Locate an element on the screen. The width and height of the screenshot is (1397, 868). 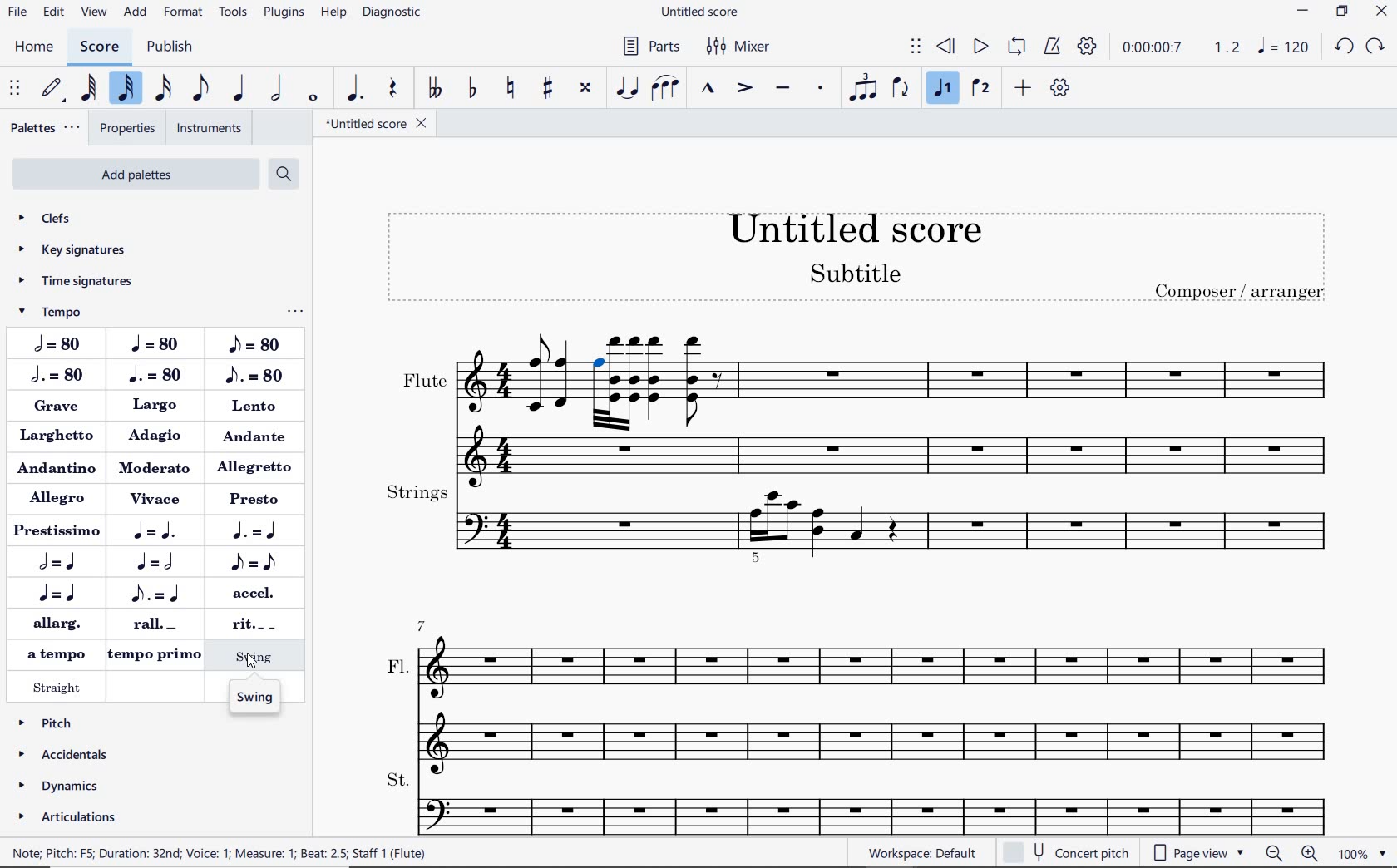
pitch is located at coordinates (67, 723).